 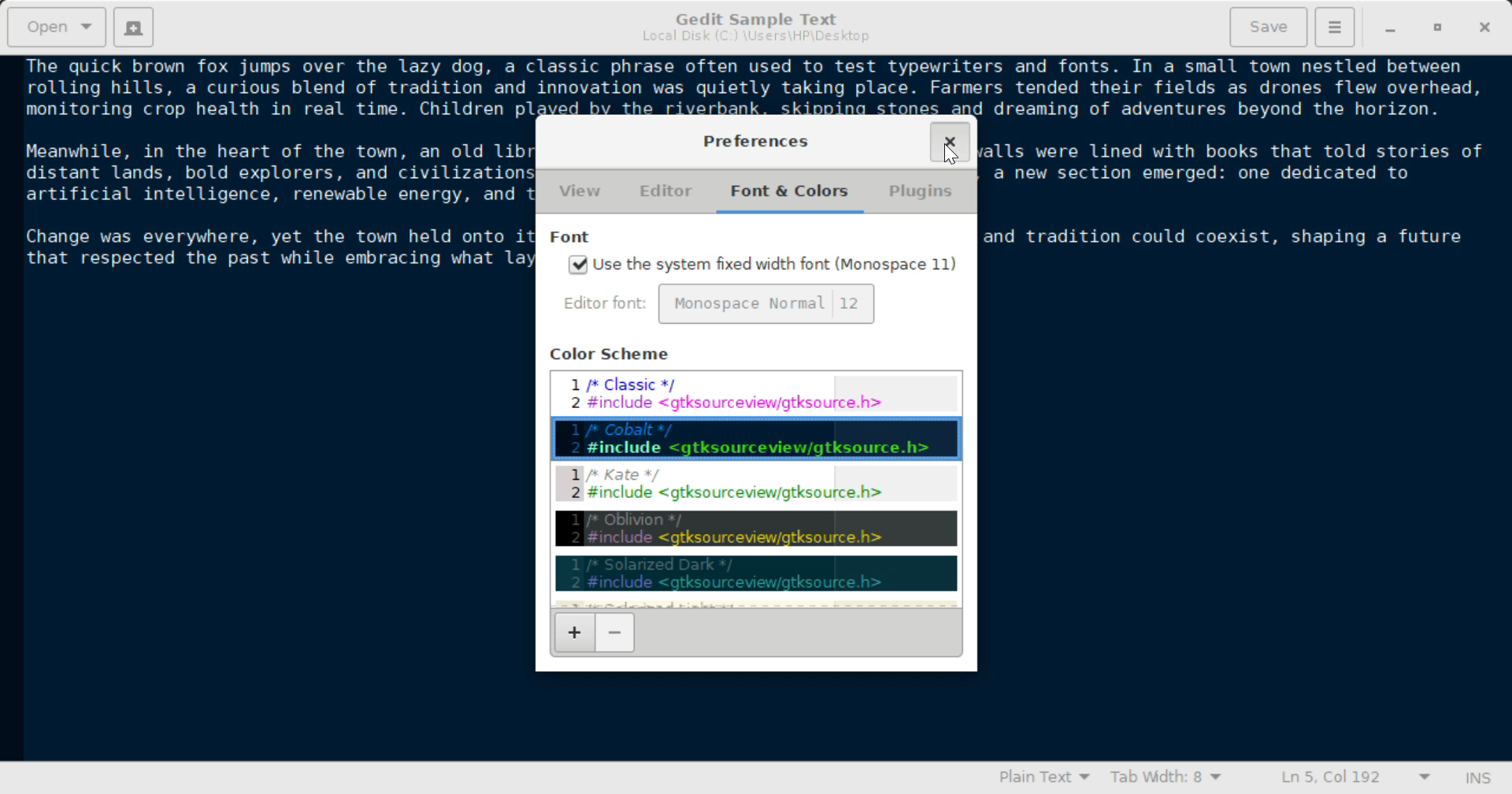 I want to click on Classic Scheme, so click(x=756, y=392).